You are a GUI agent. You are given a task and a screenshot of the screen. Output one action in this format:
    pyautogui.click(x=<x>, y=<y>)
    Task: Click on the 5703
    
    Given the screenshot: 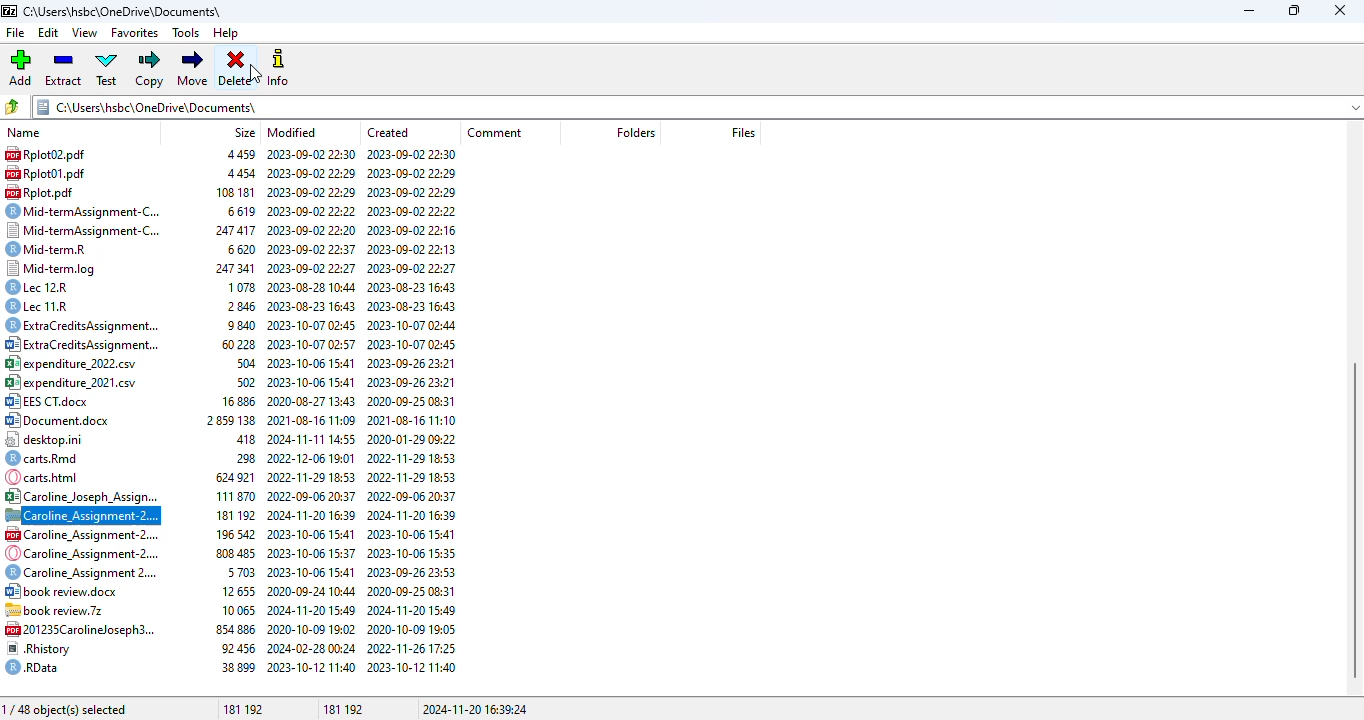 What is the action you would take?
    pyautogui.click(x=241, y=573)
    